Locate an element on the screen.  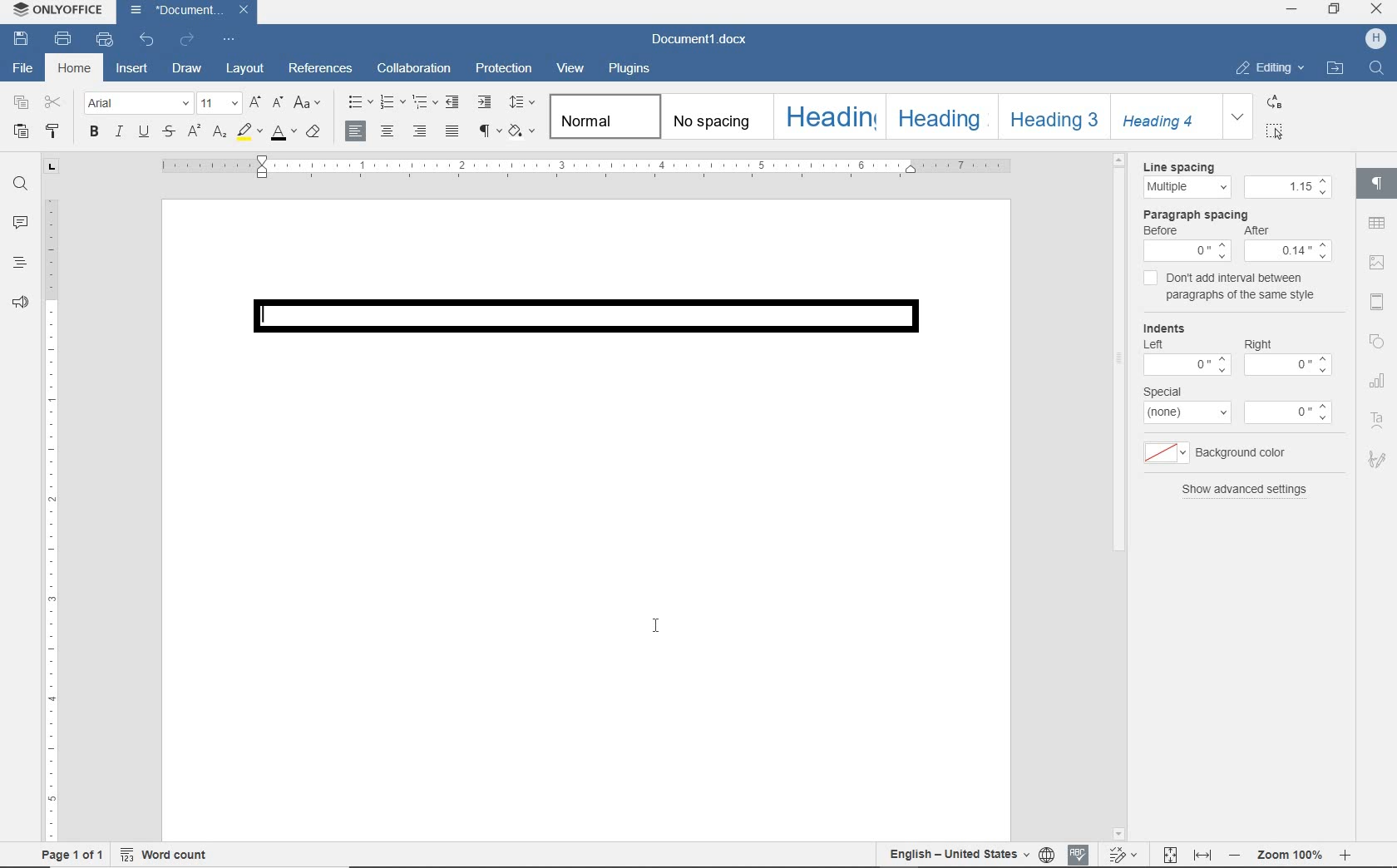
heading1 is located at coordinates (832, 116).